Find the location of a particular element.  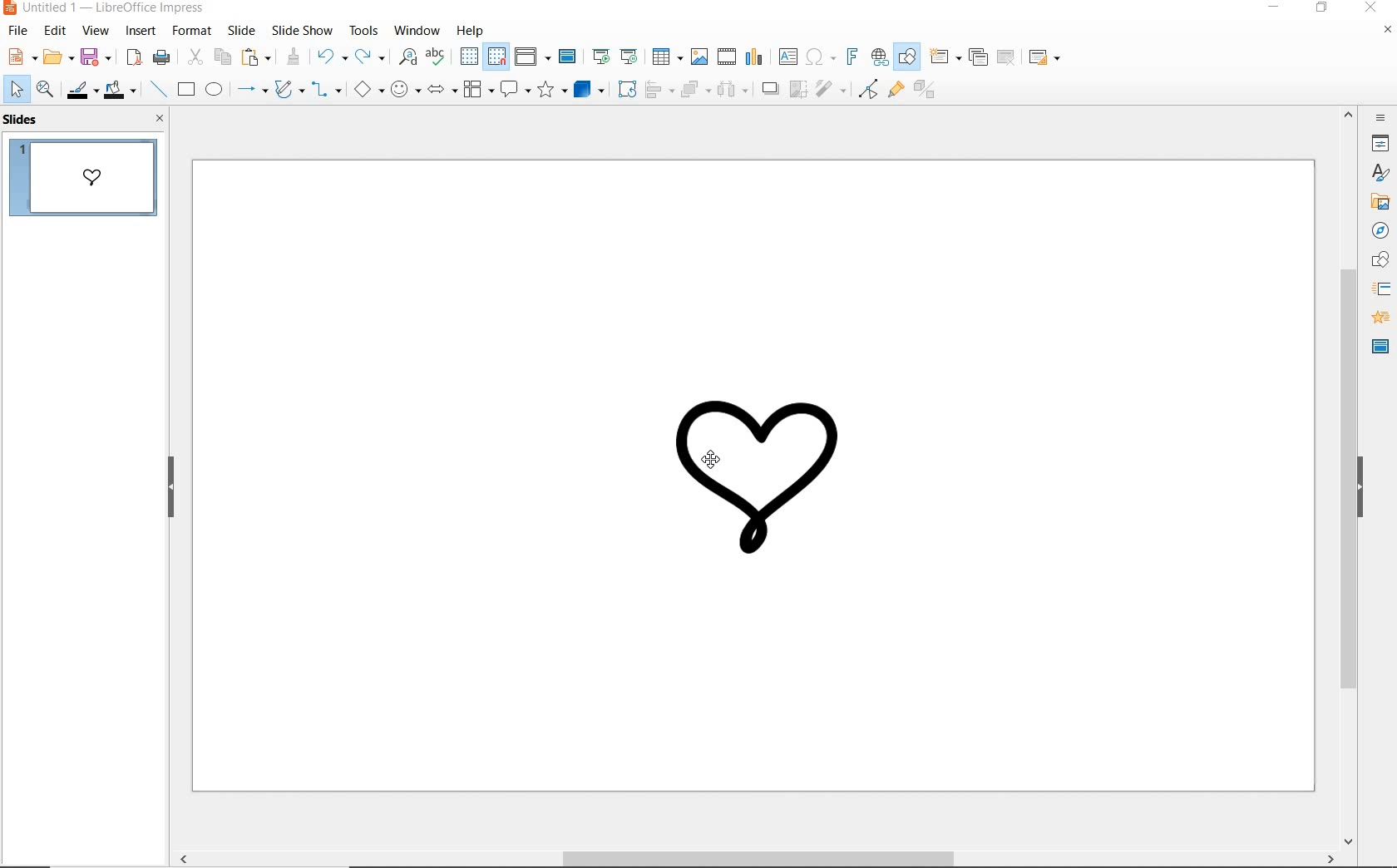

redo is located at coordinates (369, 57).